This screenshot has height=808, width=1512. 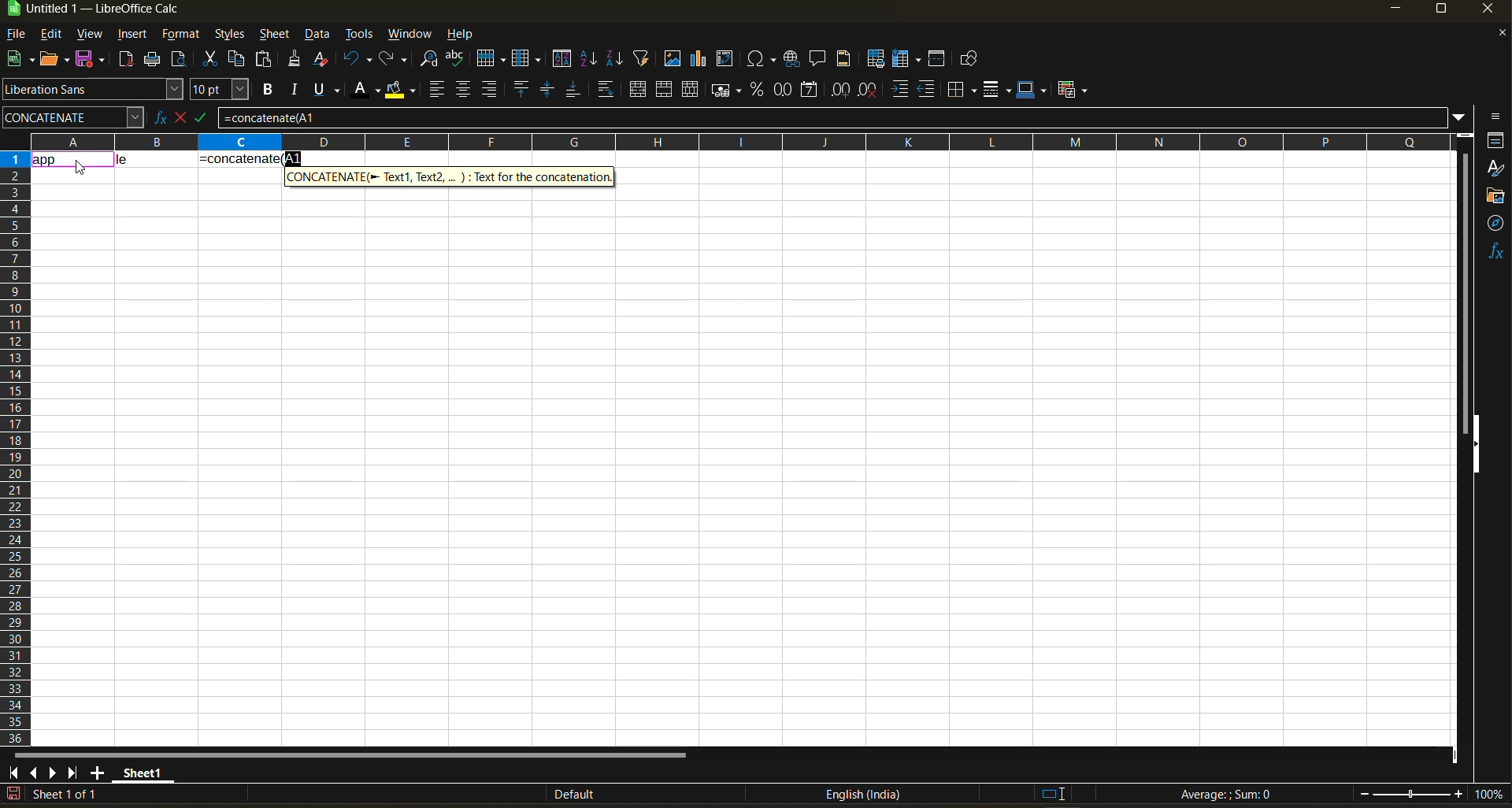 What do you see at coordinates (813, 91) in the screenshot?
I see `format as date` at bounding box center [813, 91].